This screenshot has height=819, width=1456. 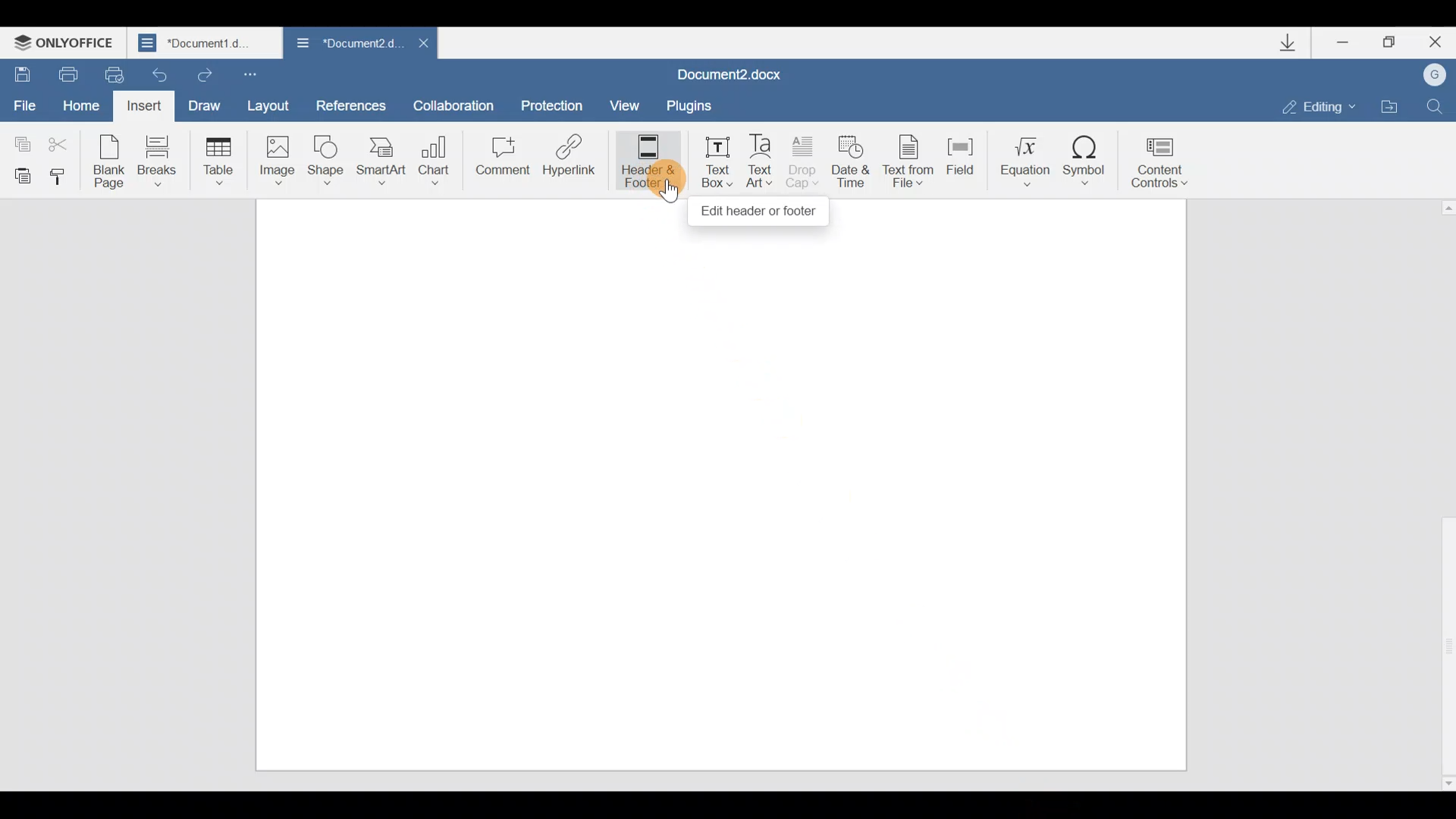 What do you see at coordinates (701, 103) in the screenshot?
I see `Plugins` at bounding box center [701, 103].